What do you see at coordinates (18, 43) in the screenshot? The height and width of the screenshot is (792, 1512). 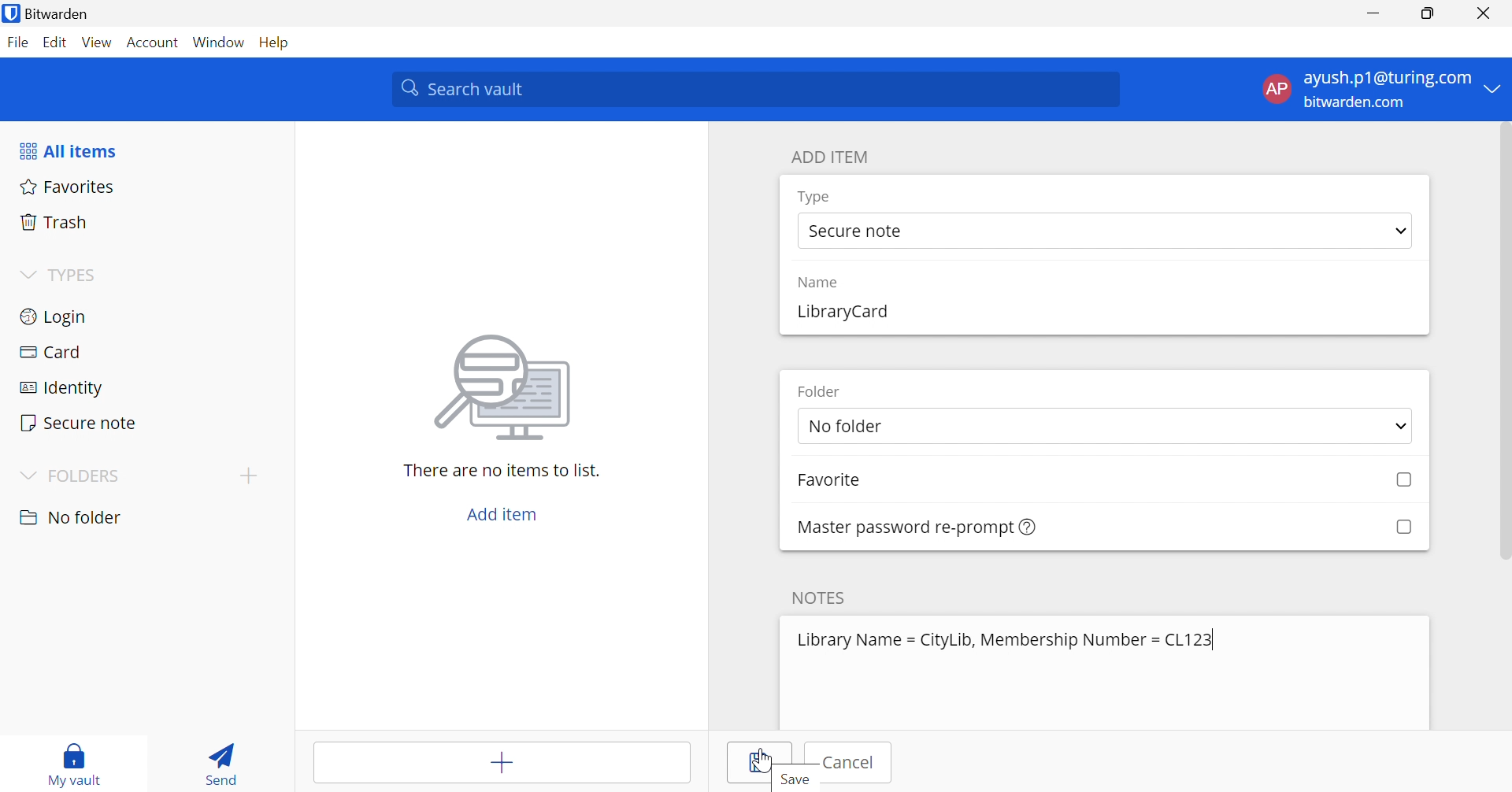 I see `File` at bounding box center [18, 43].